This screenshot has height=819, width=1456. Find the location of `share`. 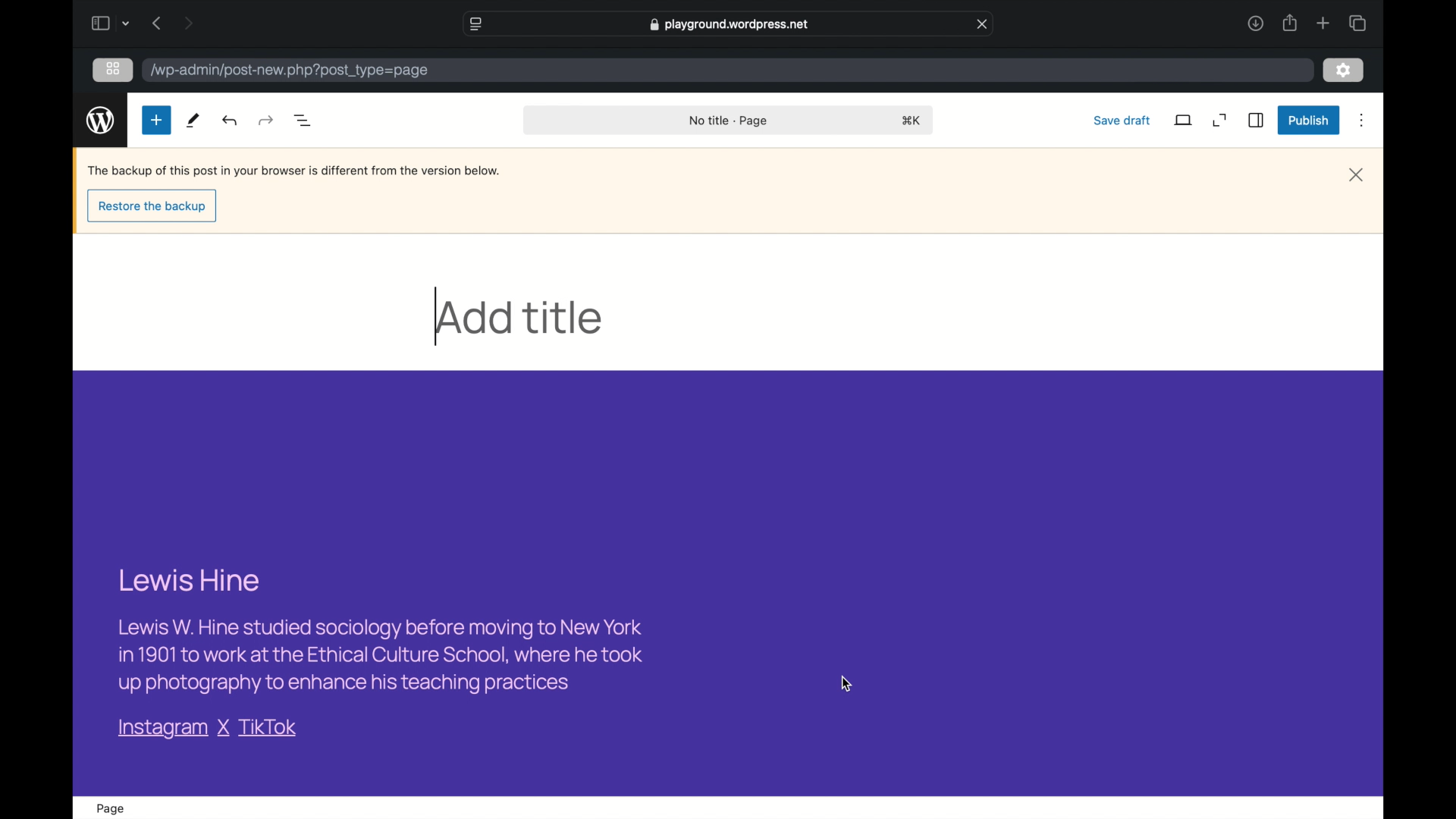

share is located at coordinates (1288, 24).